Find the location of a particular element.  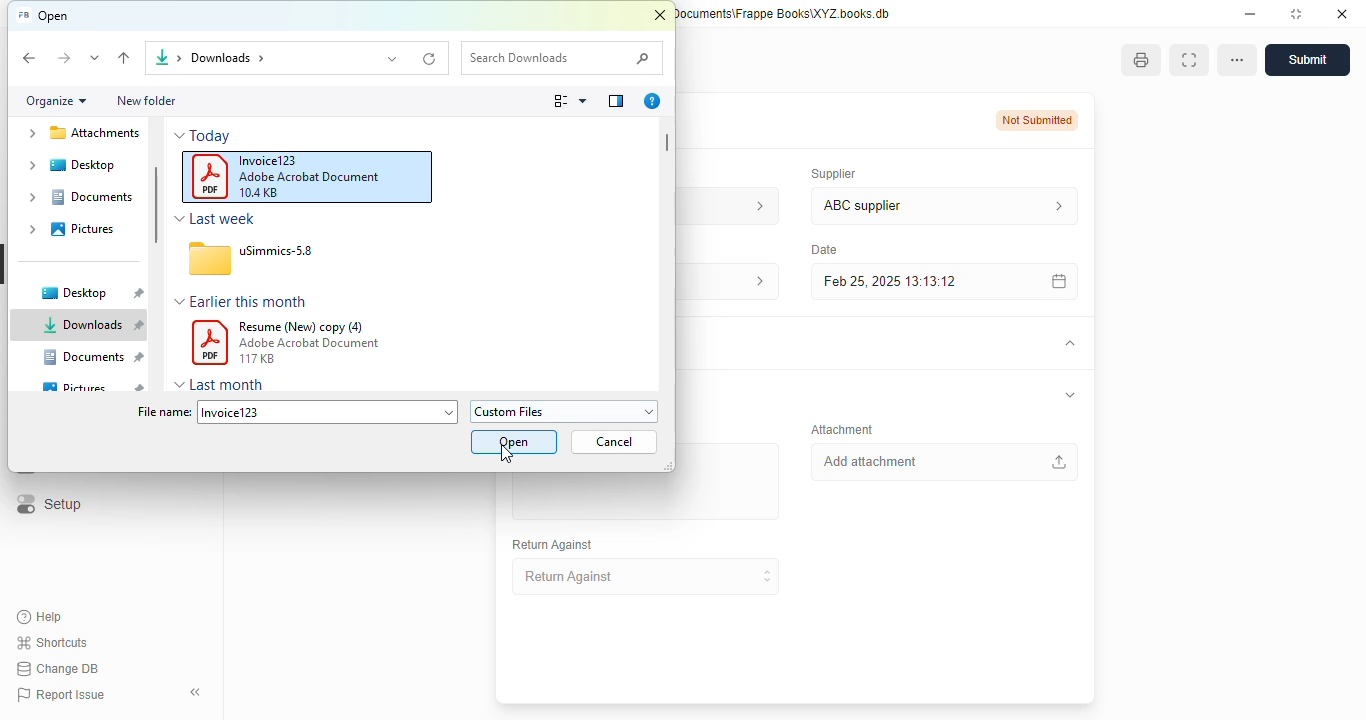

submit is located at coordinates (1307, 60).